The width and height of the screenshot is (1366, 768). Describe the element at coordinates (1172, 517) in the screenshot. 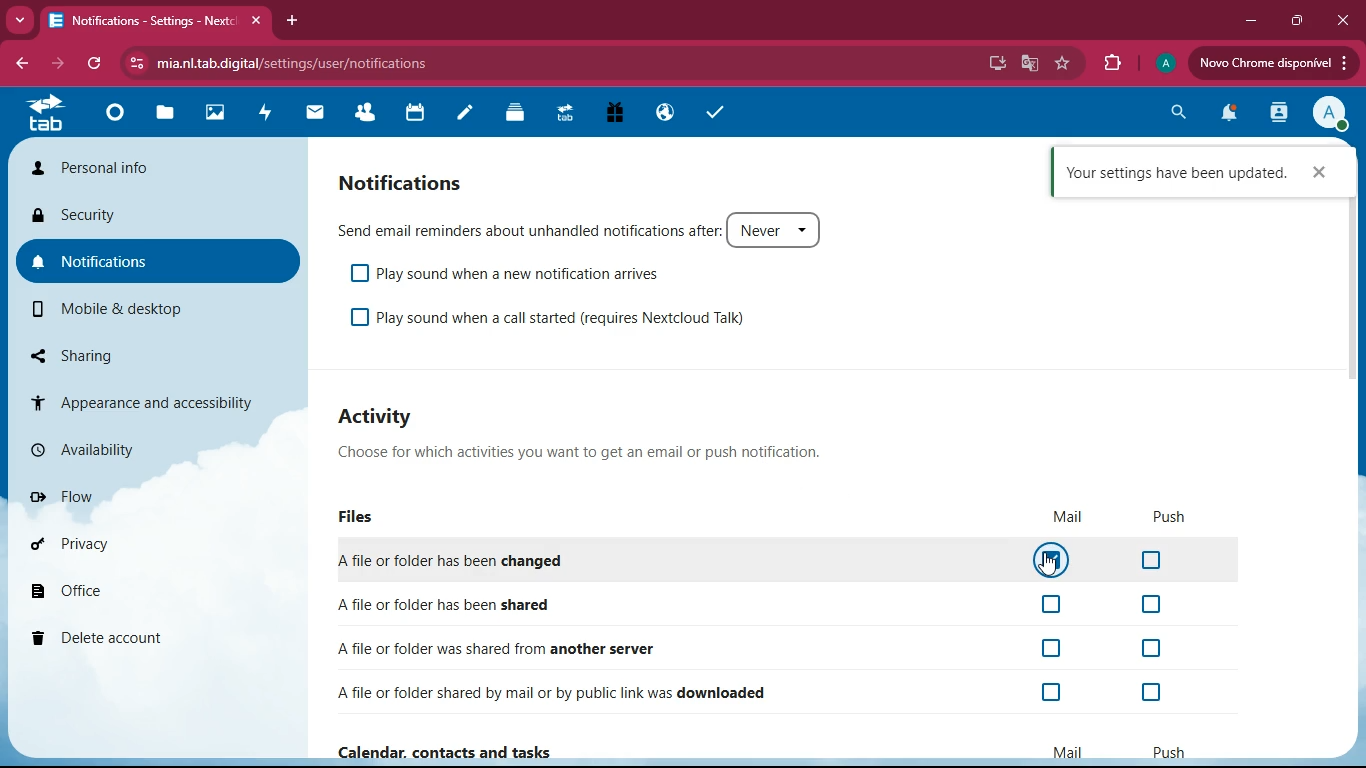

I see `push` at that location.